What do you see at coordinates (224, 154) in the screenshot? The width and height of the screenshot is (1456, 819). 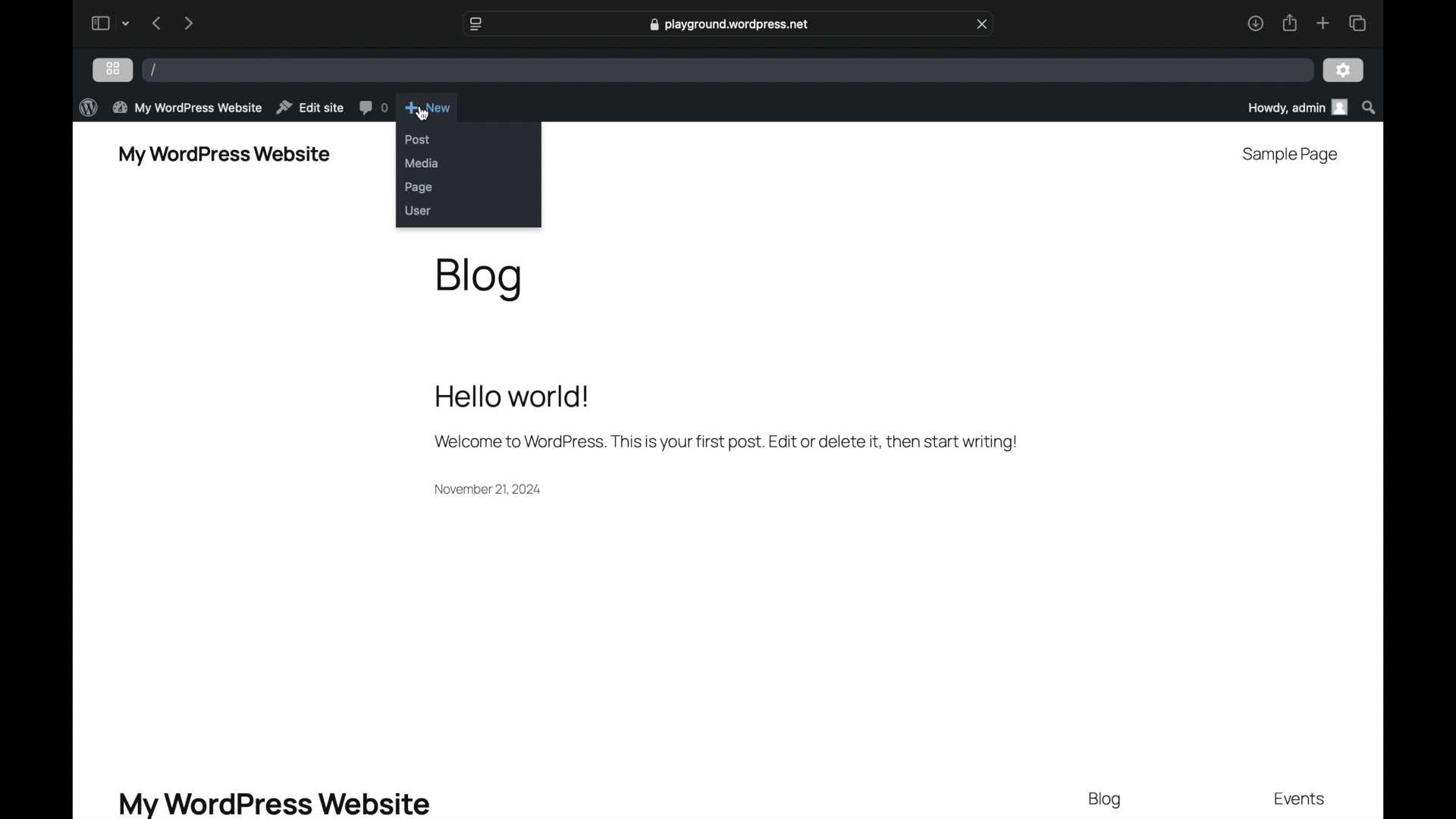 I see `my wordpress website` at bounding box center [224, 154].